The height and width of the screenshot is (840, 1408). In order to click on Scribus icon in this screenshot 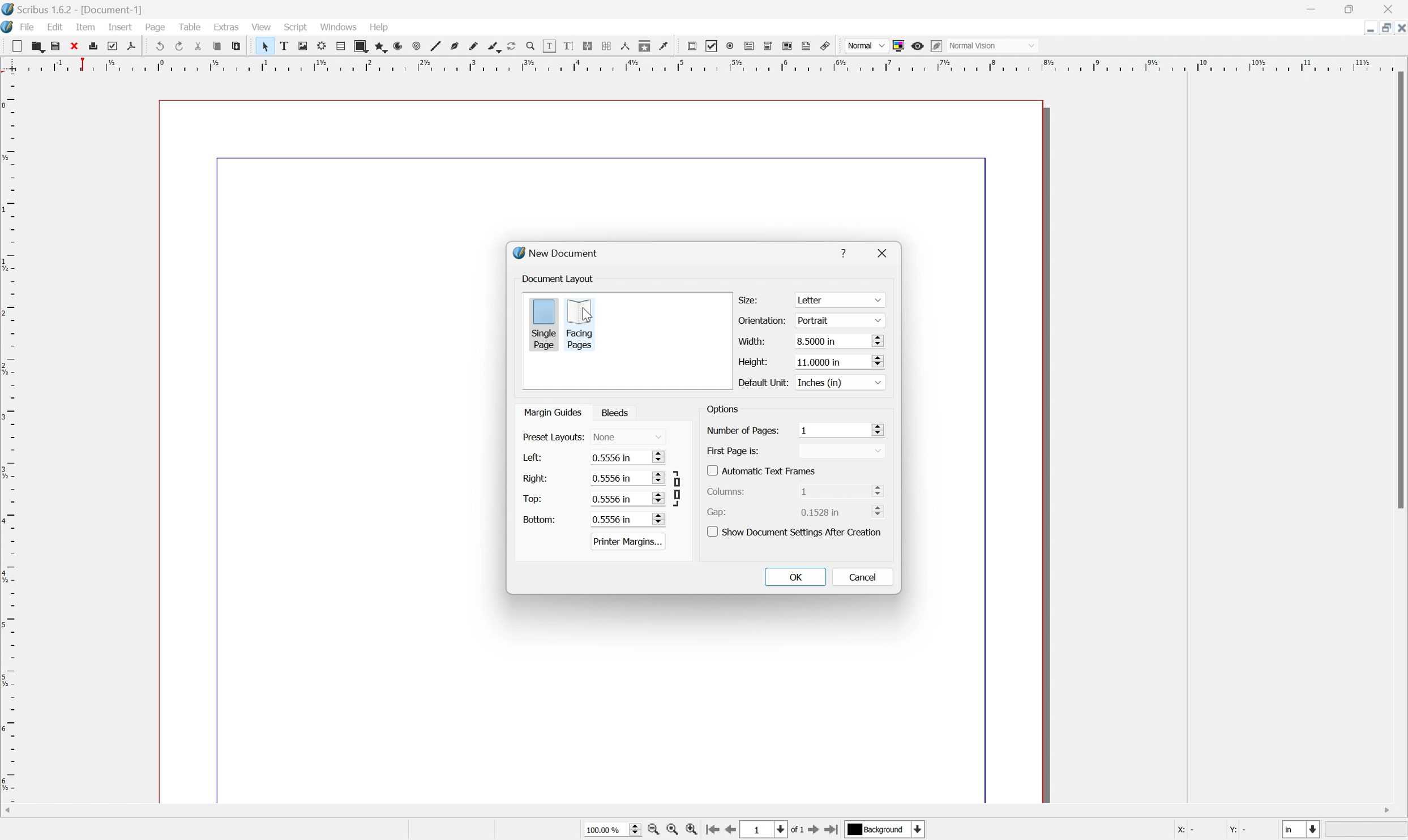, I will do `click(9, 28)`.